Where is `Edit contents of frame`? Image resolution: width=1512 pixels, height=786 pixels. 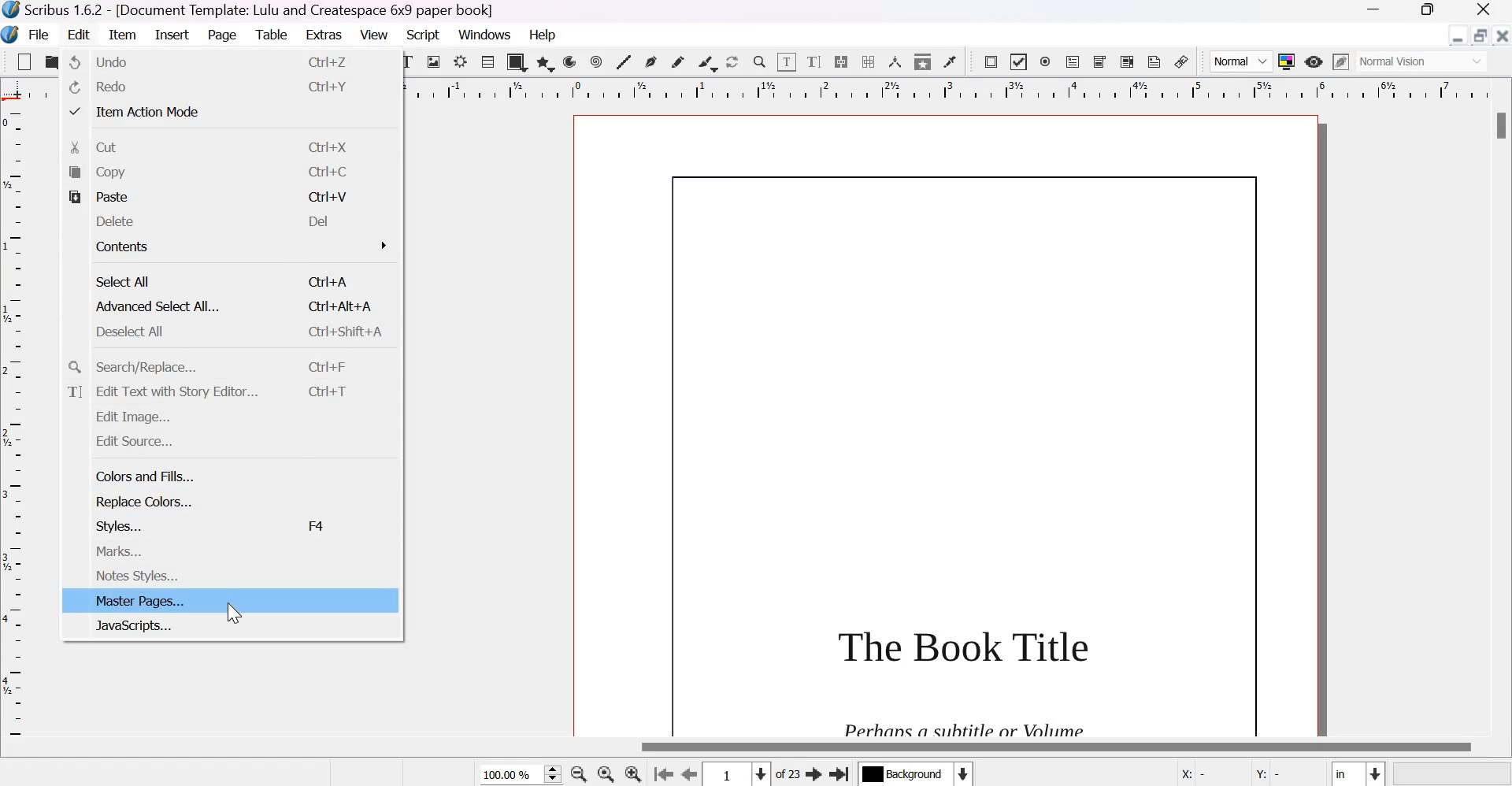
Edit contents of frame is located at coordinates (786, 61).